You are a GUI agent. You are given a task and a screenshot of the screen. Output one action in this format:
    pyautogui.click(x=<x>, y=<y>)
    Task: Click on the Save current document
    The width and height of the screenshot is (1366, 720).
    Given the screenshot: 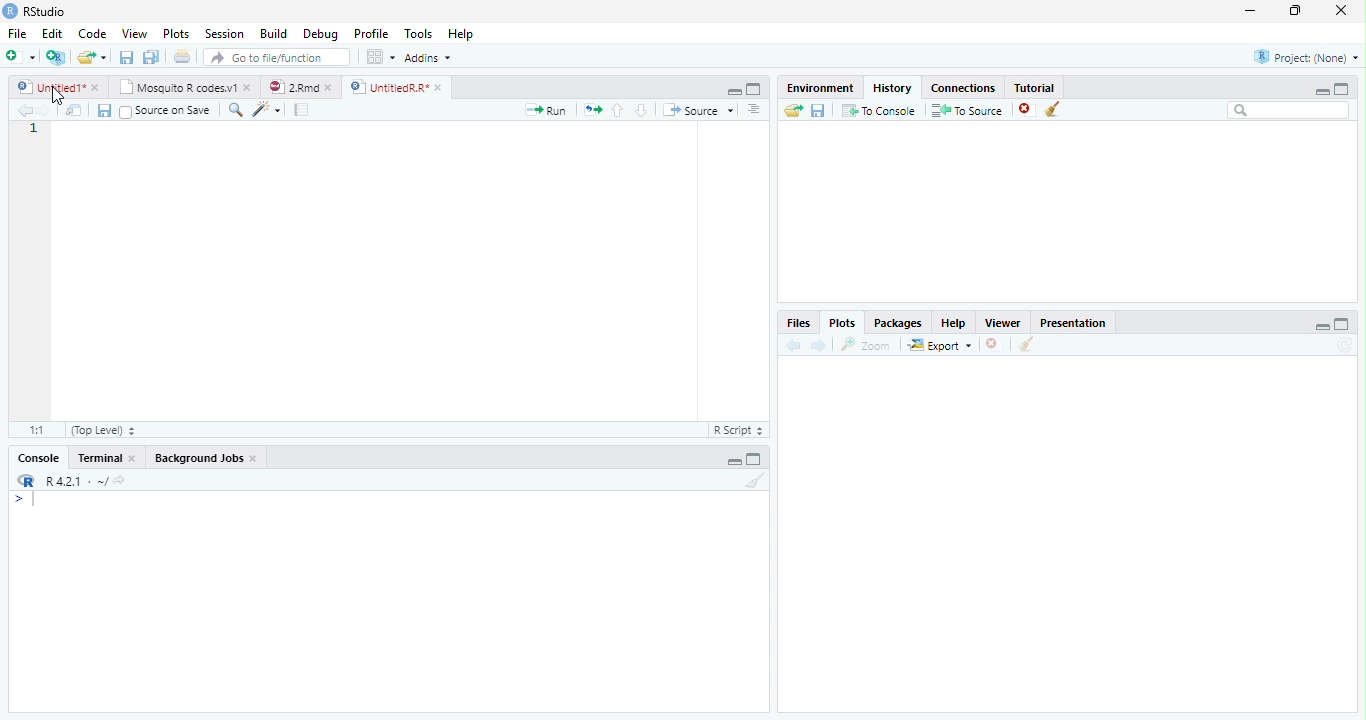 What is the action you would take?
    pyautogui.click(x=125, y=56)
    